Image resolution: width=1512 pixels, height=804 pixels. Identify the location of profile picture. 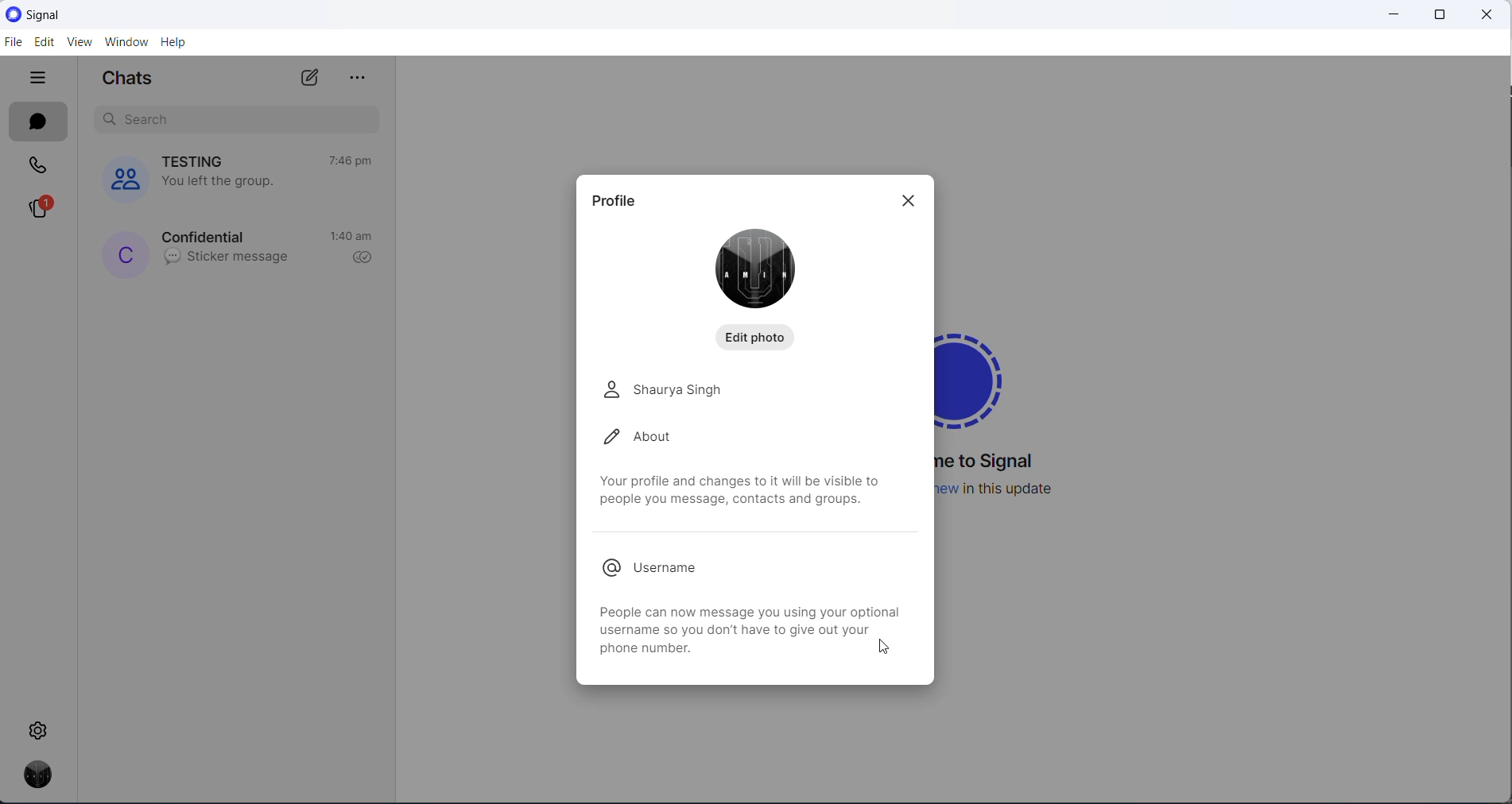
(760, 268).